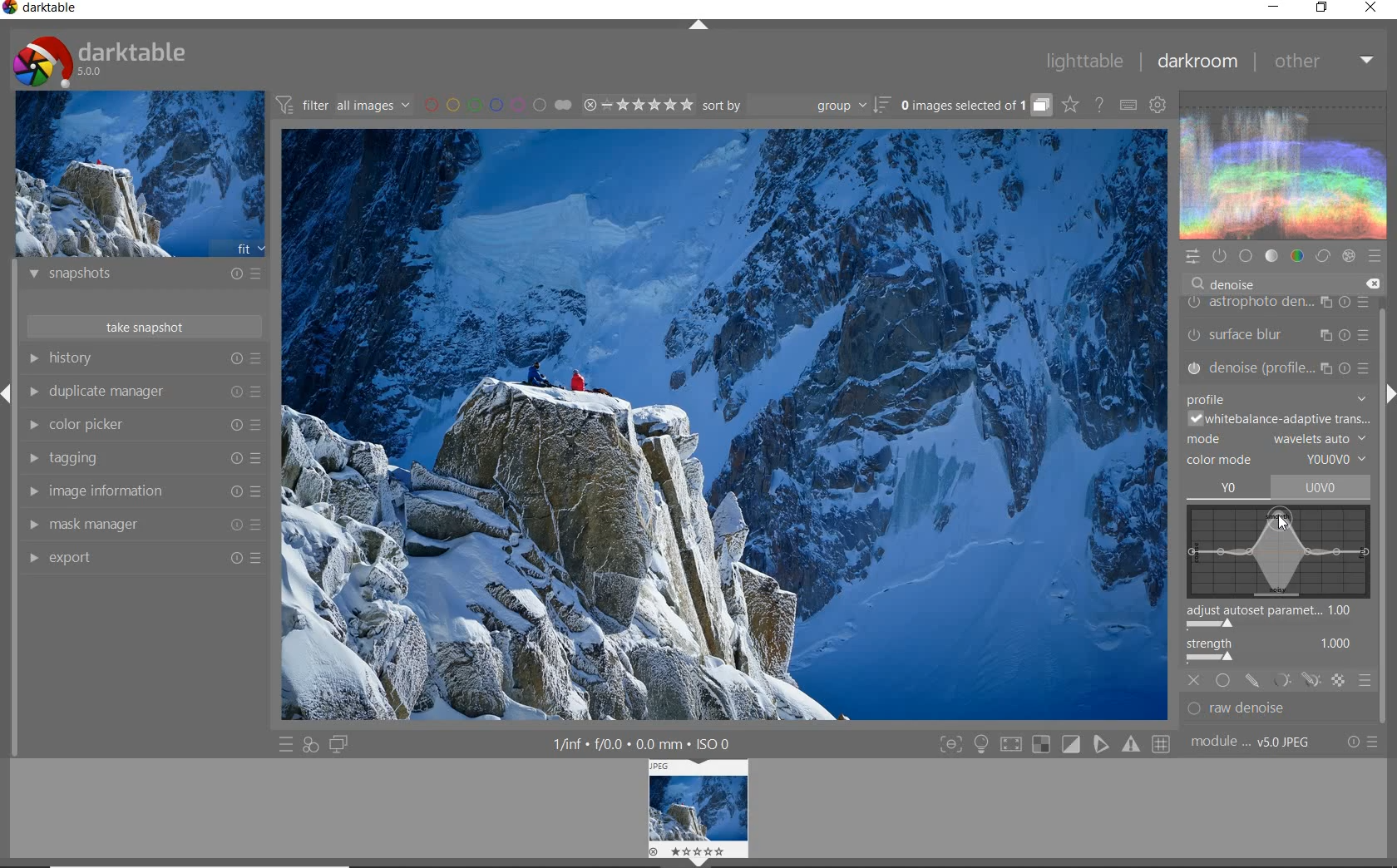  I want to click on base, so click(1246, 255).